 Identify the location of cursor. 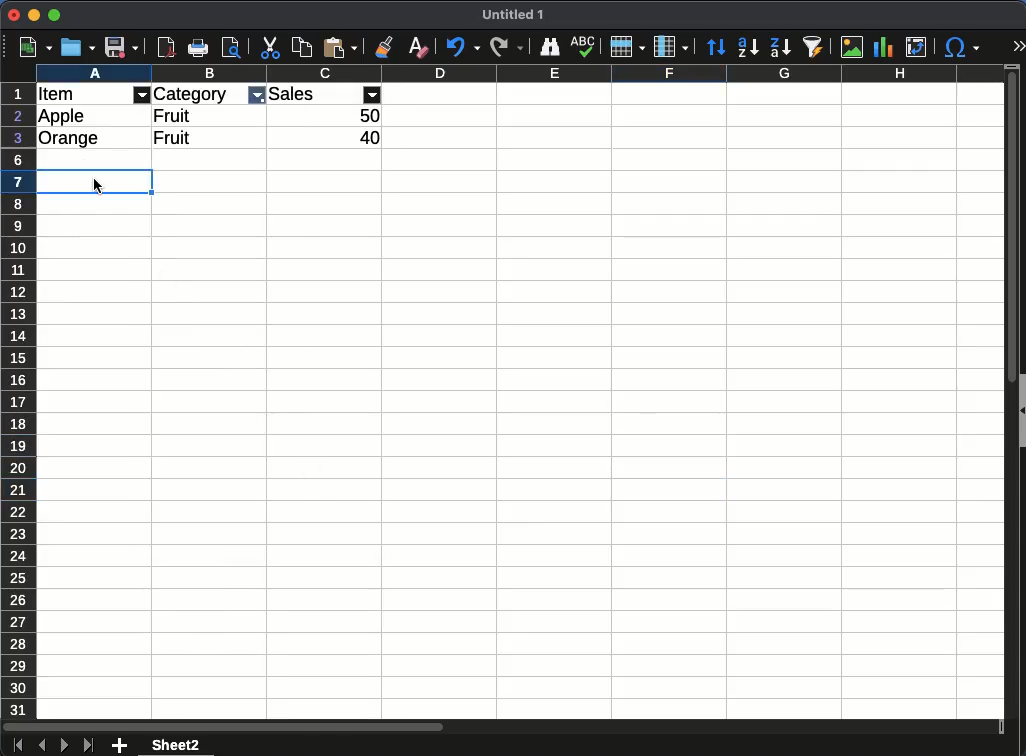
(99, 186).